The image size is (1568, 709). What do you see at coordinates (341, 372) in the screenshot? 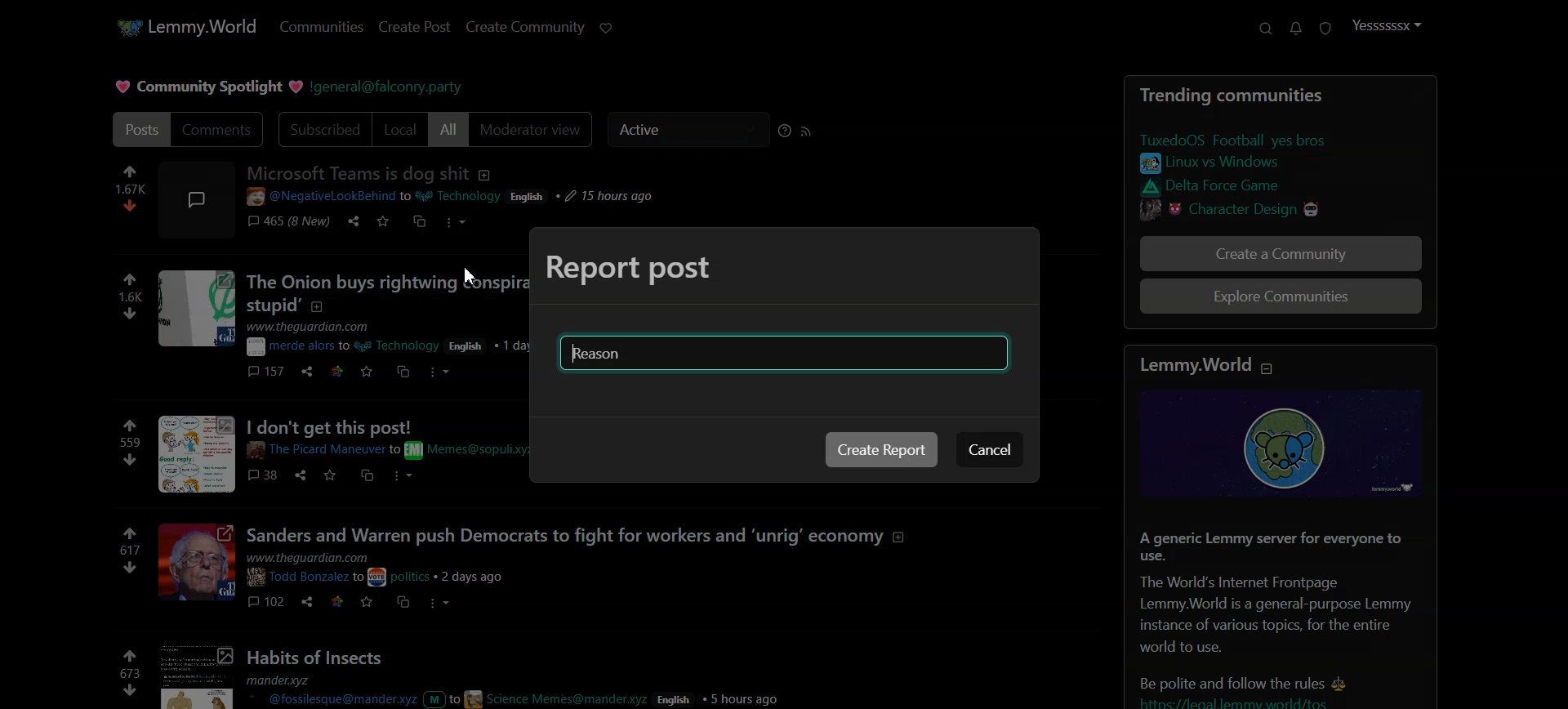
I see `link` at bounding box center [341, 372].